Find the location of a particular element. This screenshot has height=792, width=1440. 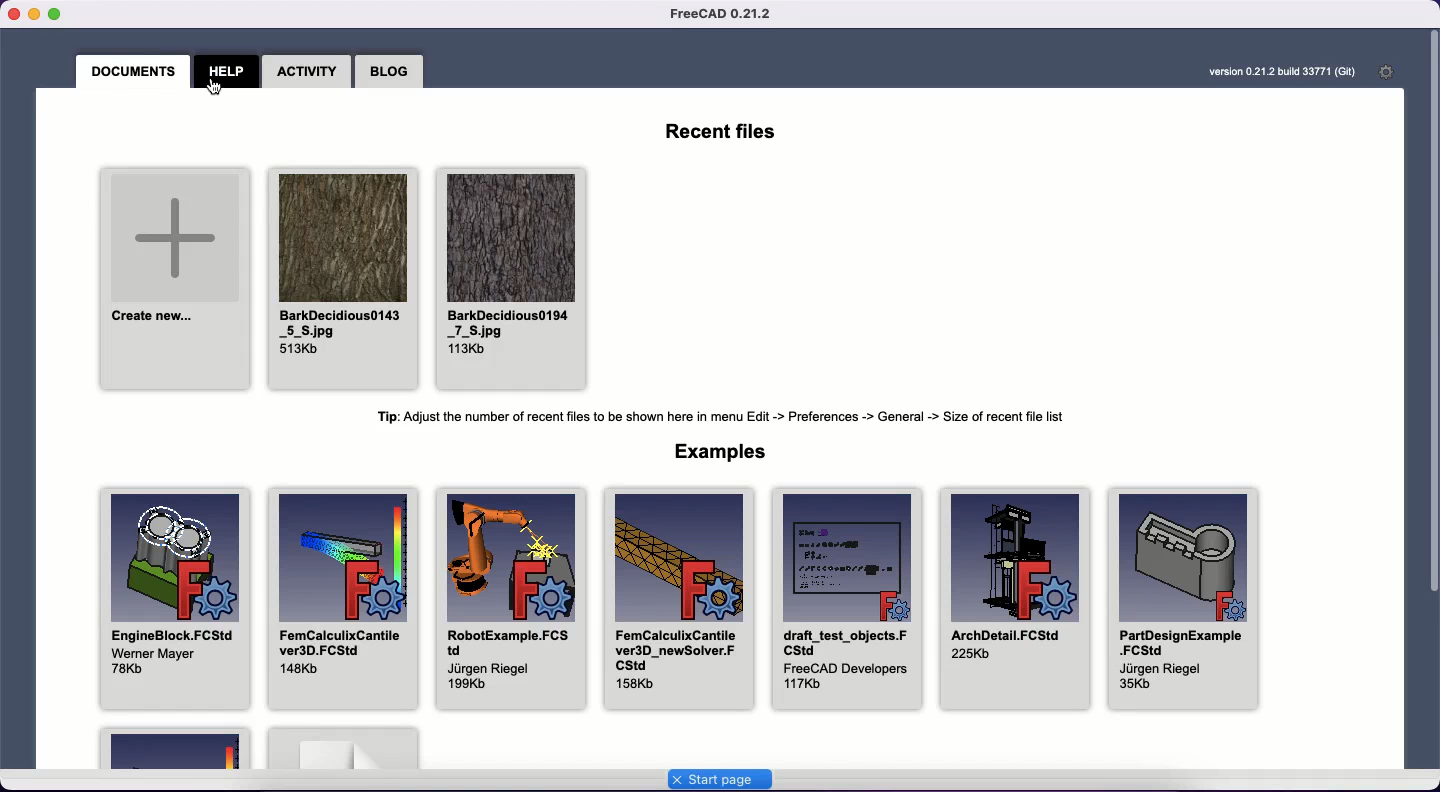

Maximize is located at coordinates (63, 14).